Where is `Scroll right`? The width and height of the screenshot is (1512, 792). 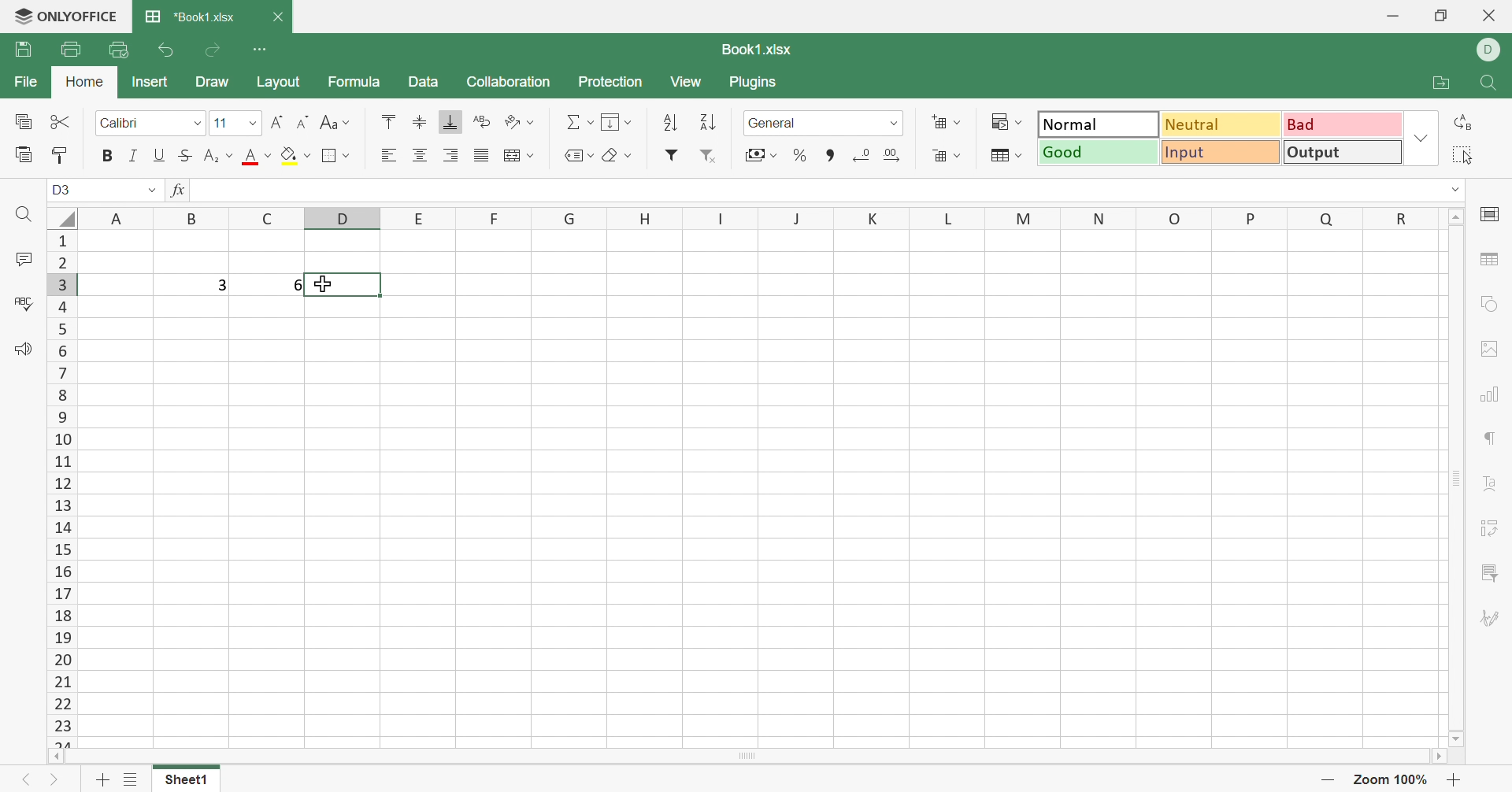 Scroll right is located at coordinates (1437, 757).